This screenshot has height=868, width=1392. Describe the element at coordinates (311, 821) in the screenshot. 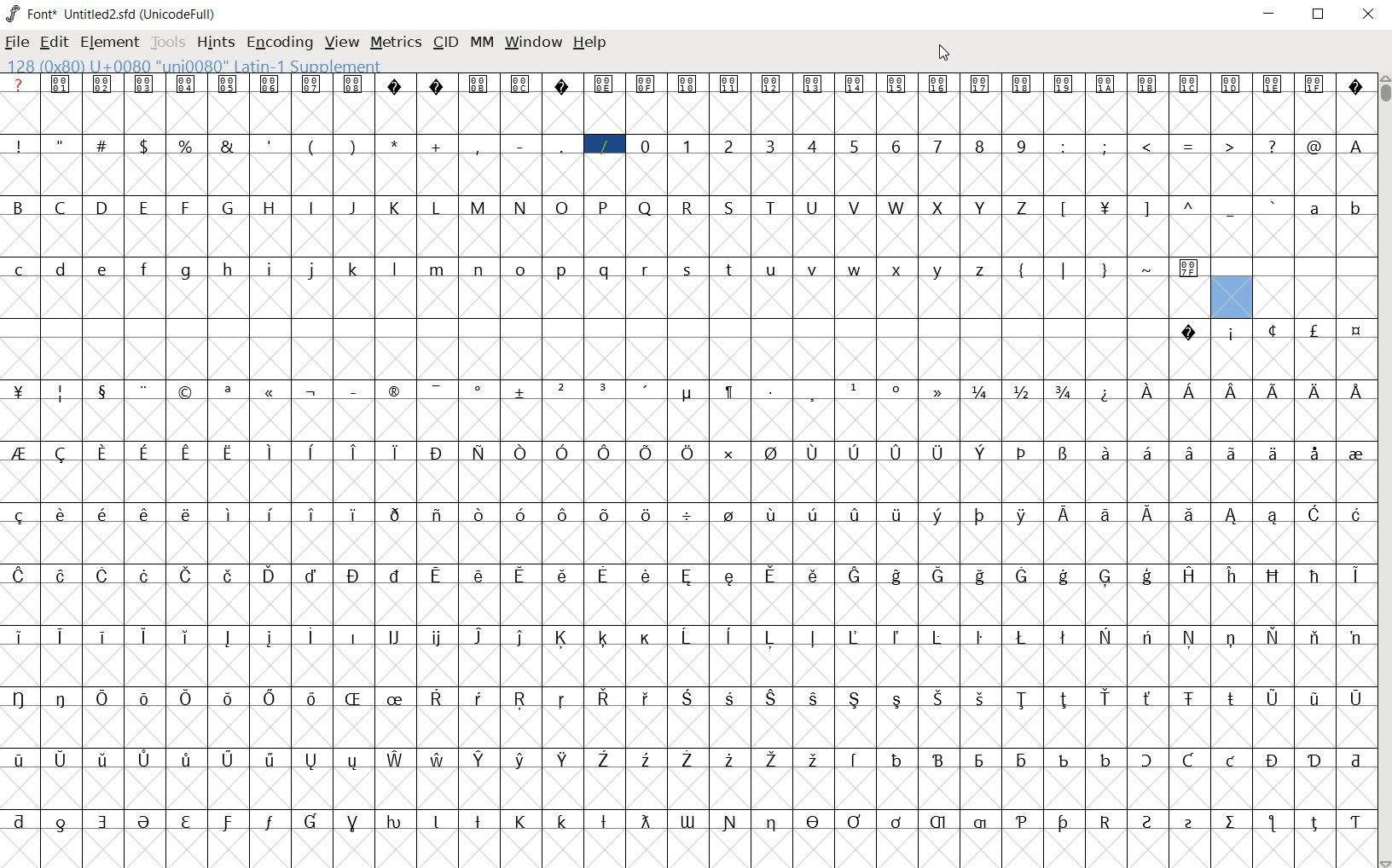

I see `glyph` at that location.